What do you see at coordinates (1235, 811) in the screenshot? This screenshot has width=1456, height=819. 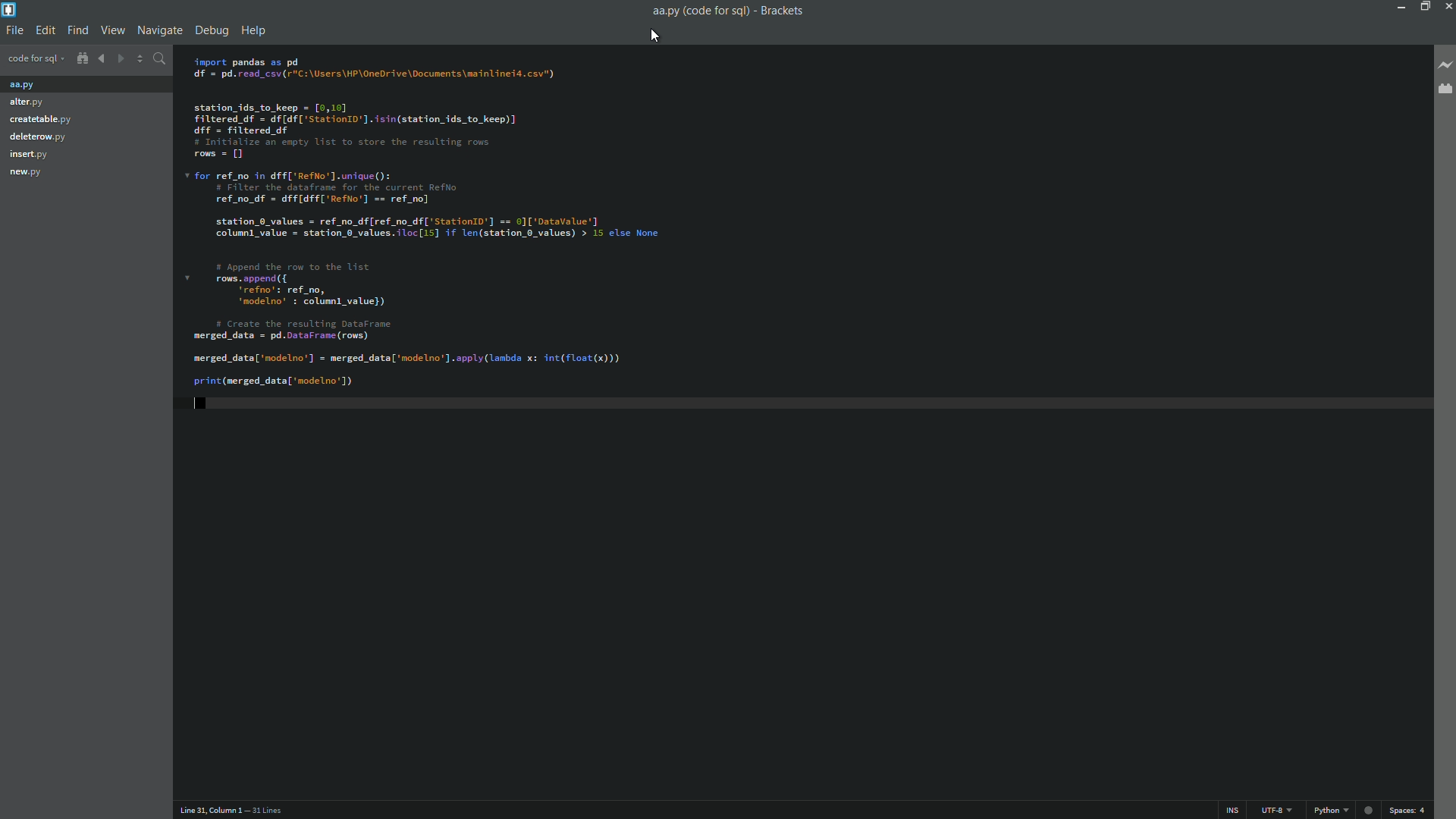 I see `ins` at bounding box center [1235, 811].